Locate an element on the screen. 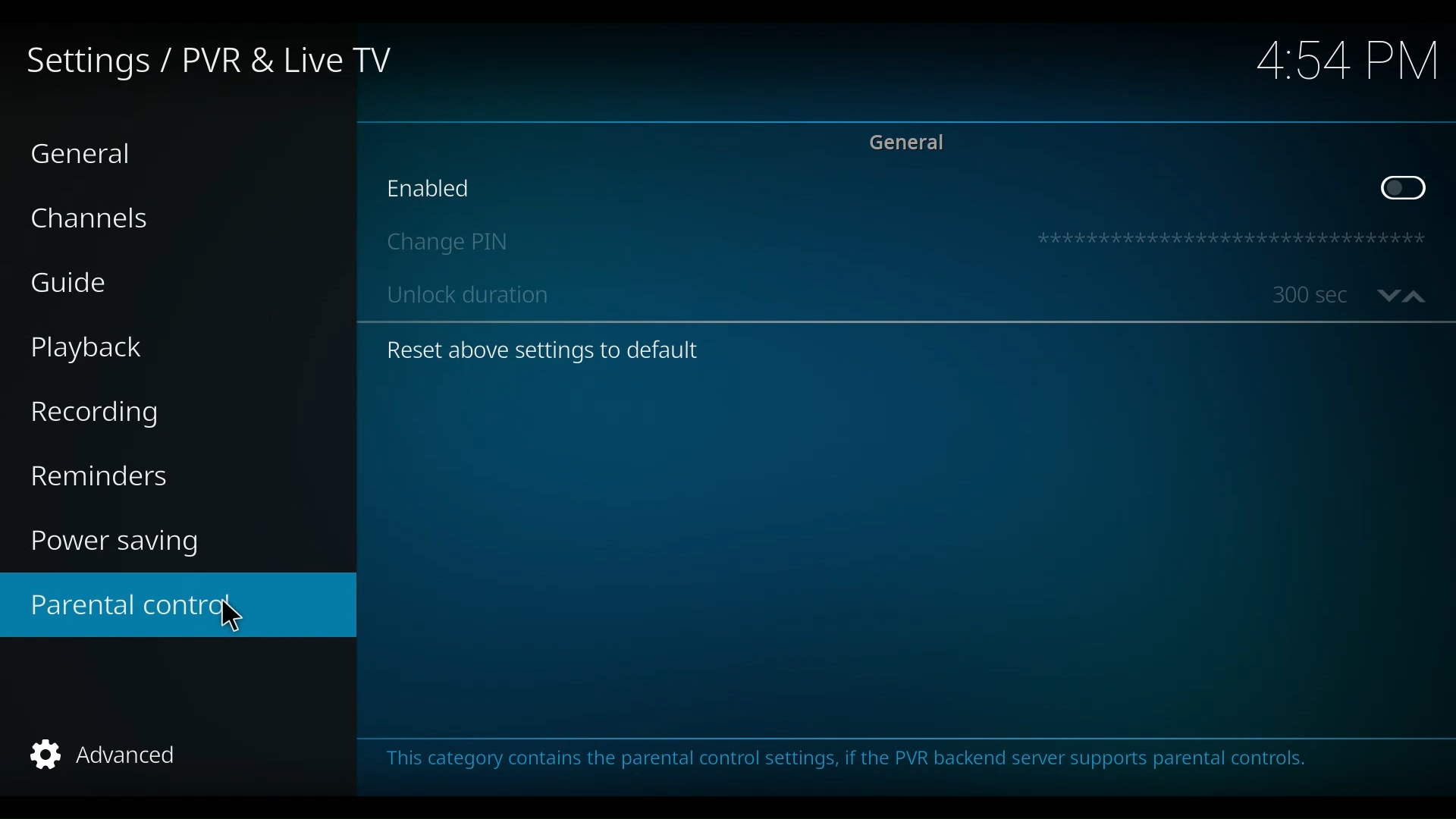  Channels is located at coordinates (86, 220).